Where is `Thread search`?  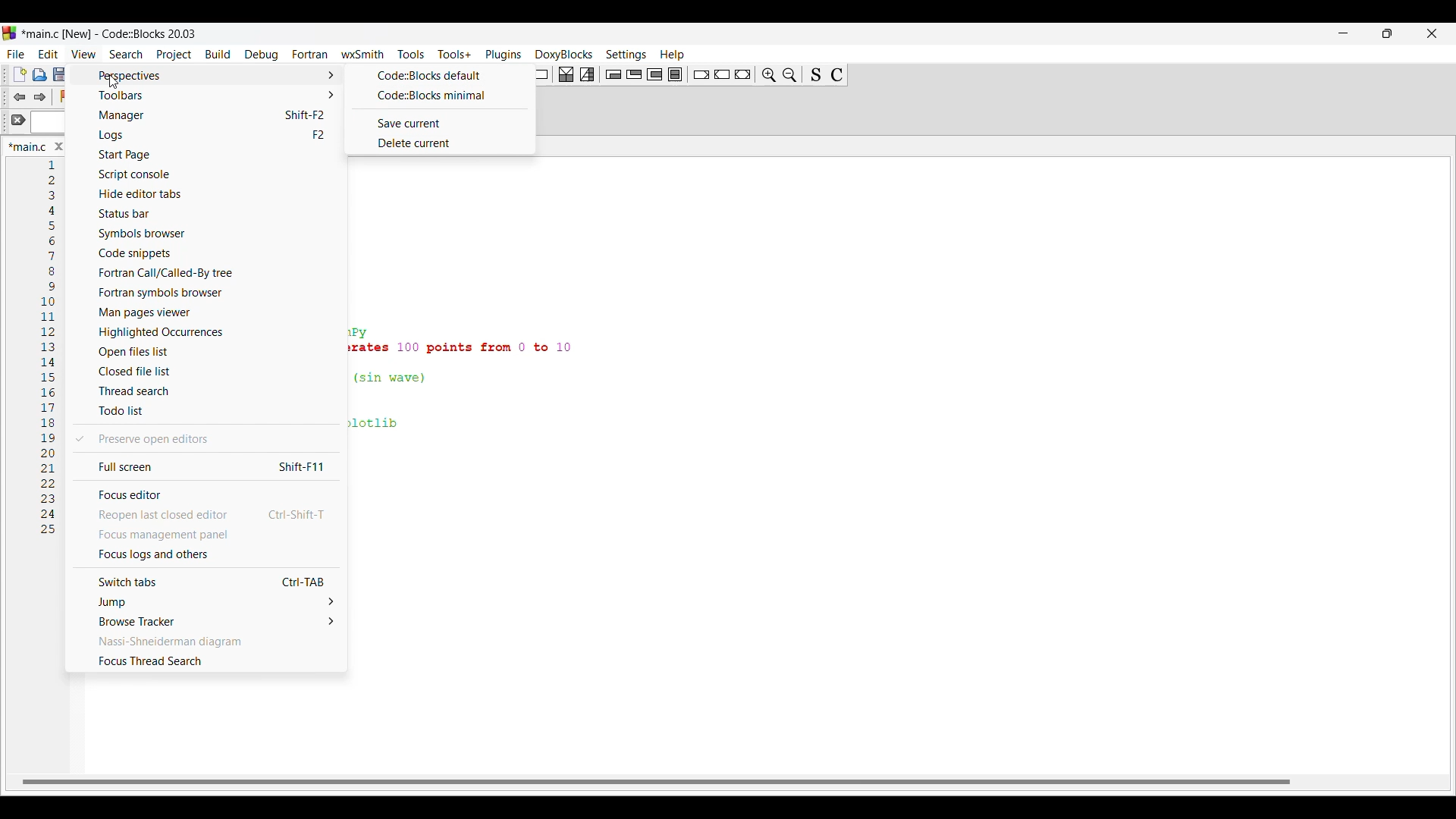
Thread search is located at coordinates (206, 391).